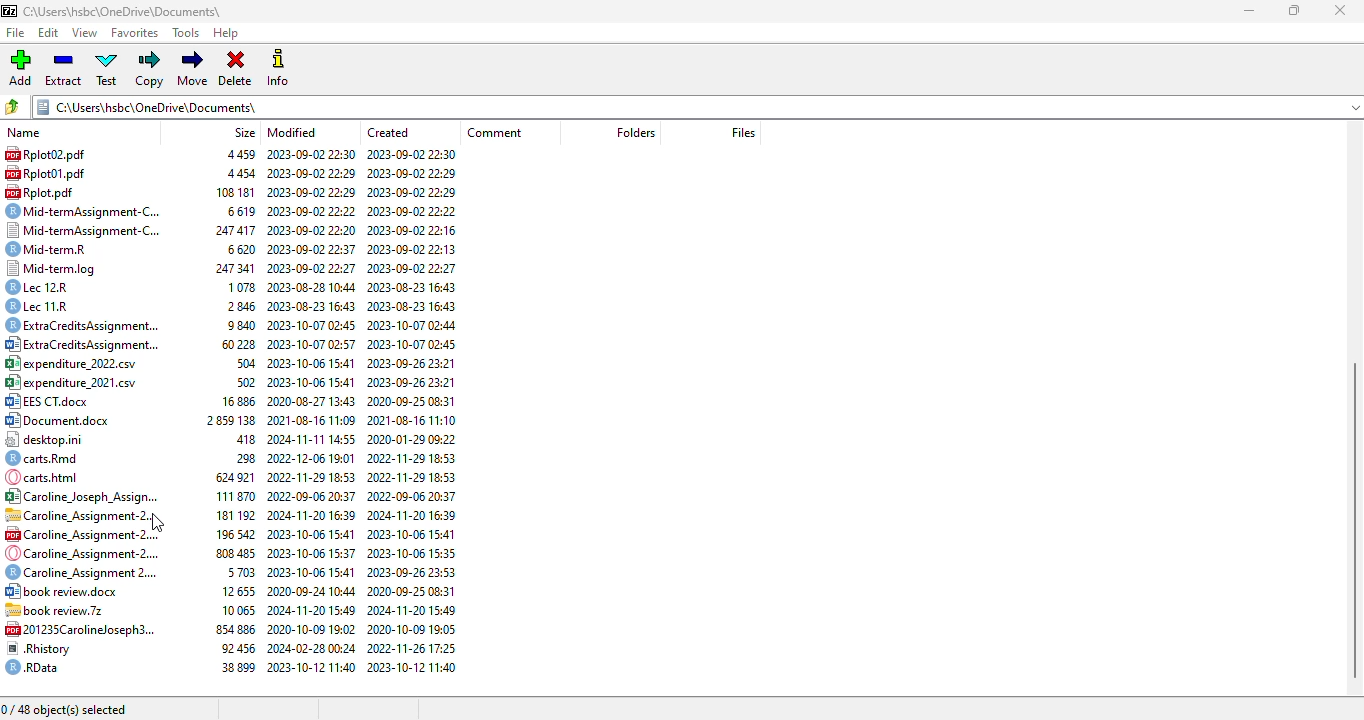 Image resolution: width=1364 pixels, height=720 pixels. I want to click on 2859138, so click(229, 422).